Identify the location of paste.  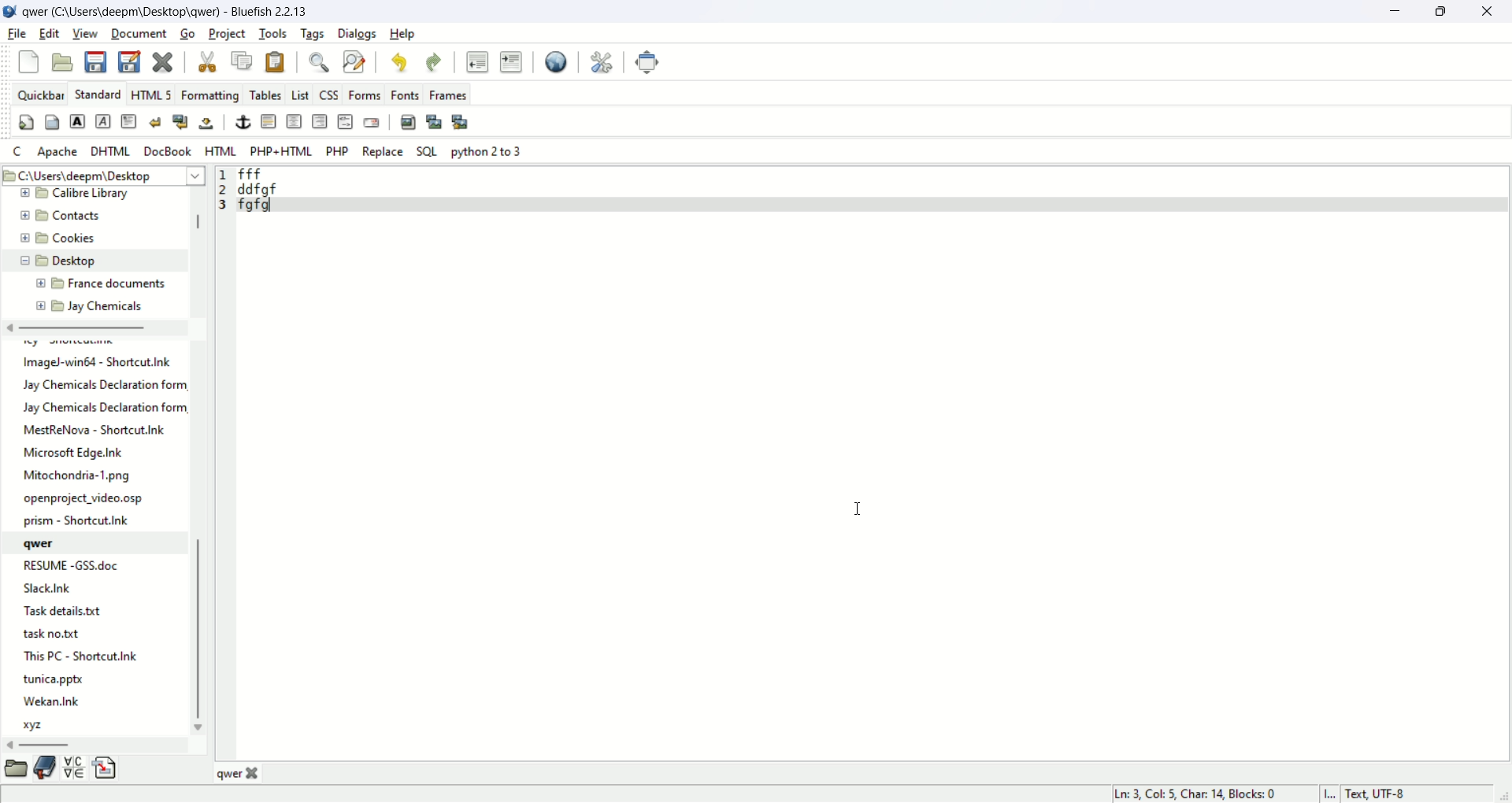
(276, 64).